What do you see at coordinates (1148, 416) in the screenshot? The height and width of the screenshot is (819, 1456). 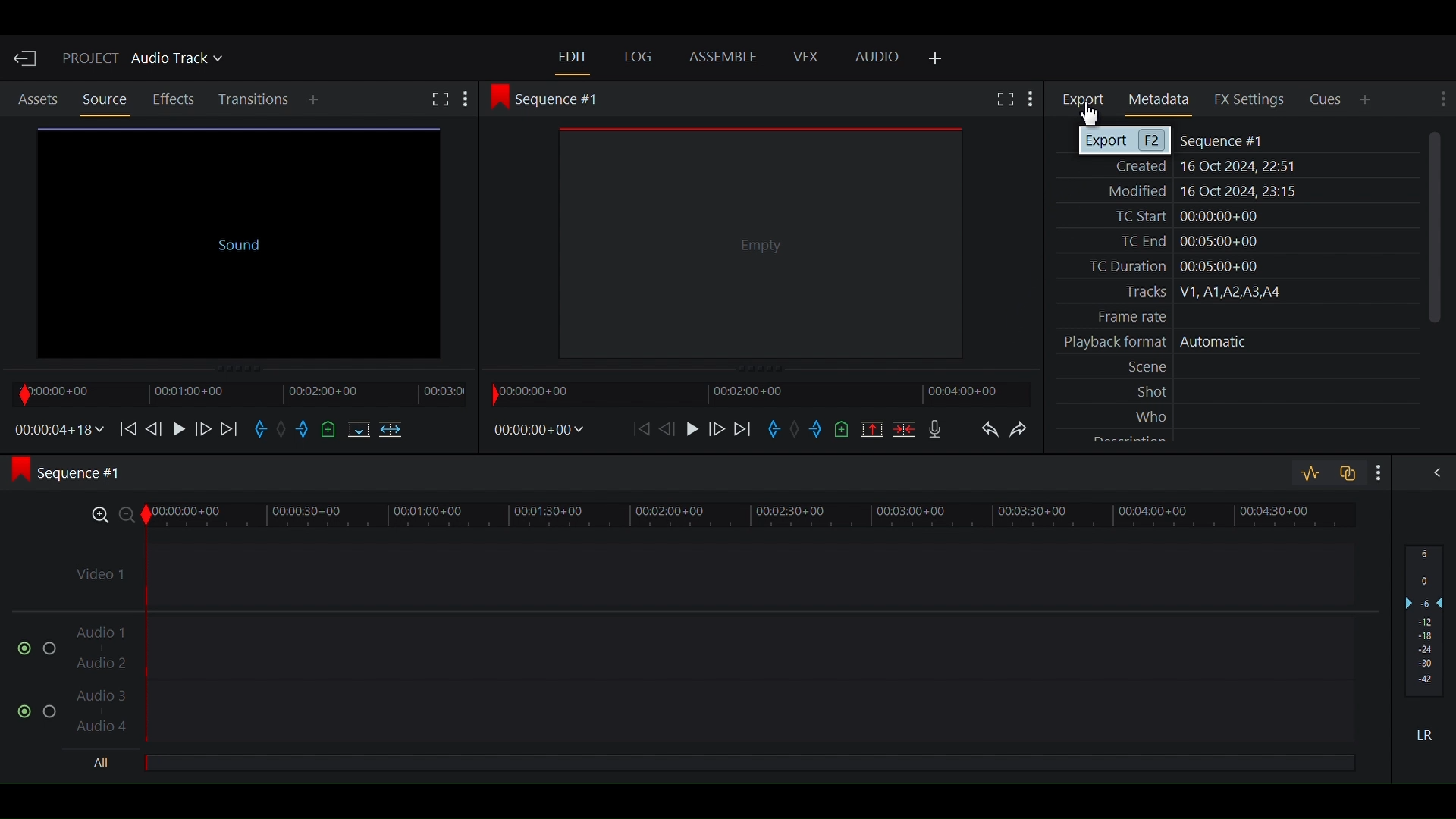 I see `Who` at bounding box center [1148, 416].